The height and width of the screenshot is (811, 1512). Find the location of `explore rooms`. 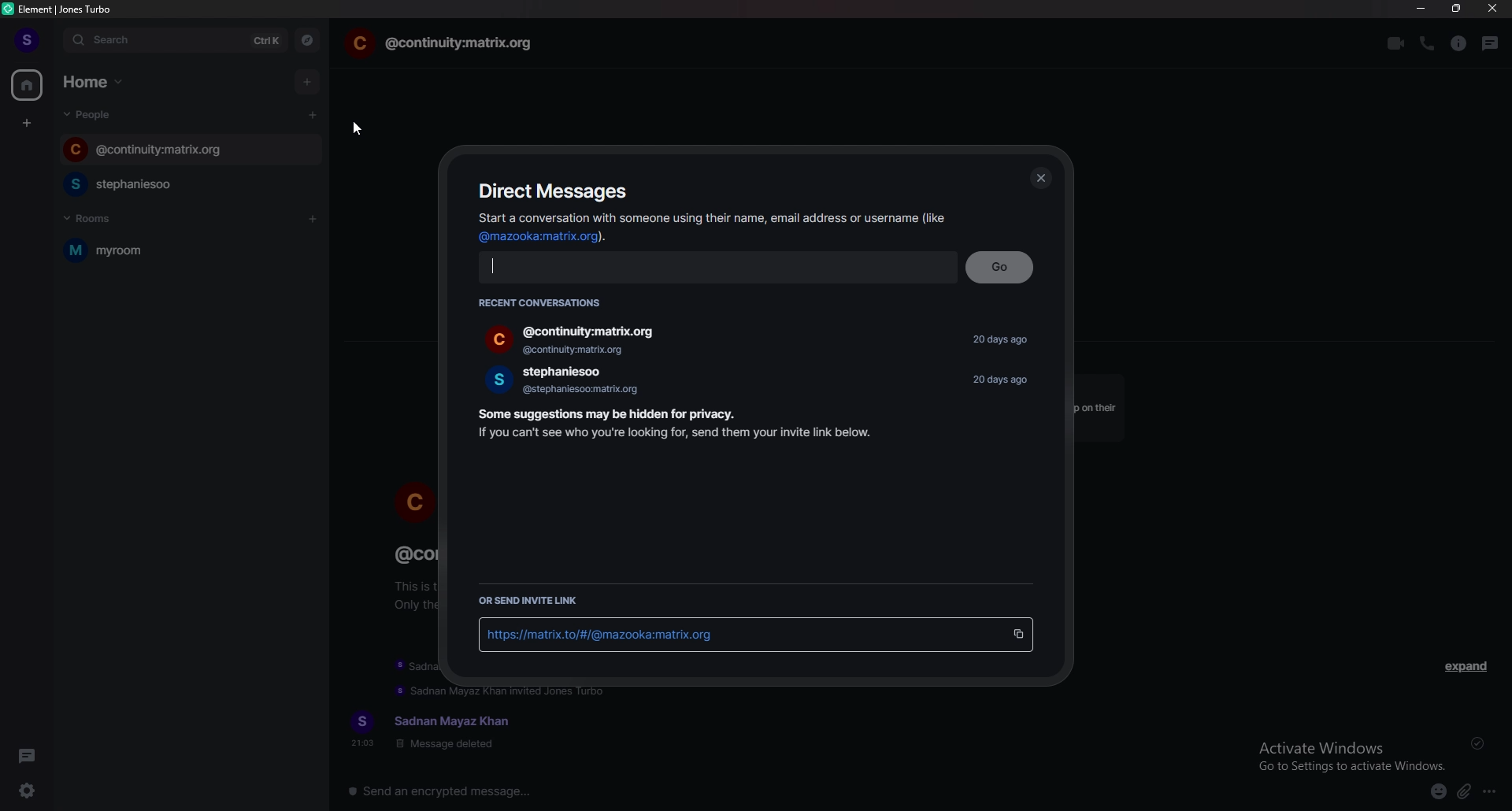

explore rooms is located at coordinates (308, 40).